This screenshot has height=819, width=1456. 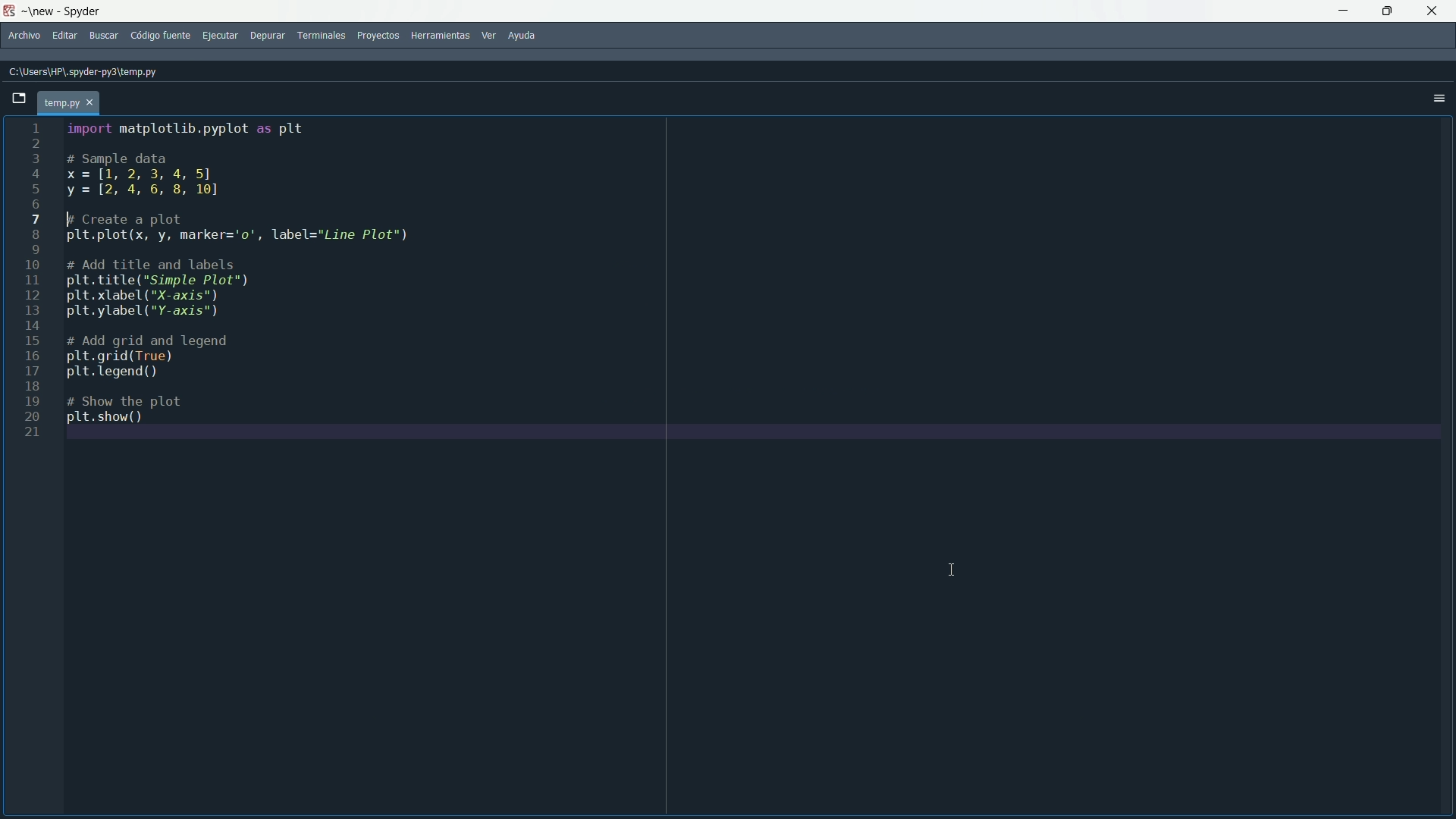 What do you see at coordinates (1439, 98) in the screenshot?
I see `options` at bounding box center [1439, 98].